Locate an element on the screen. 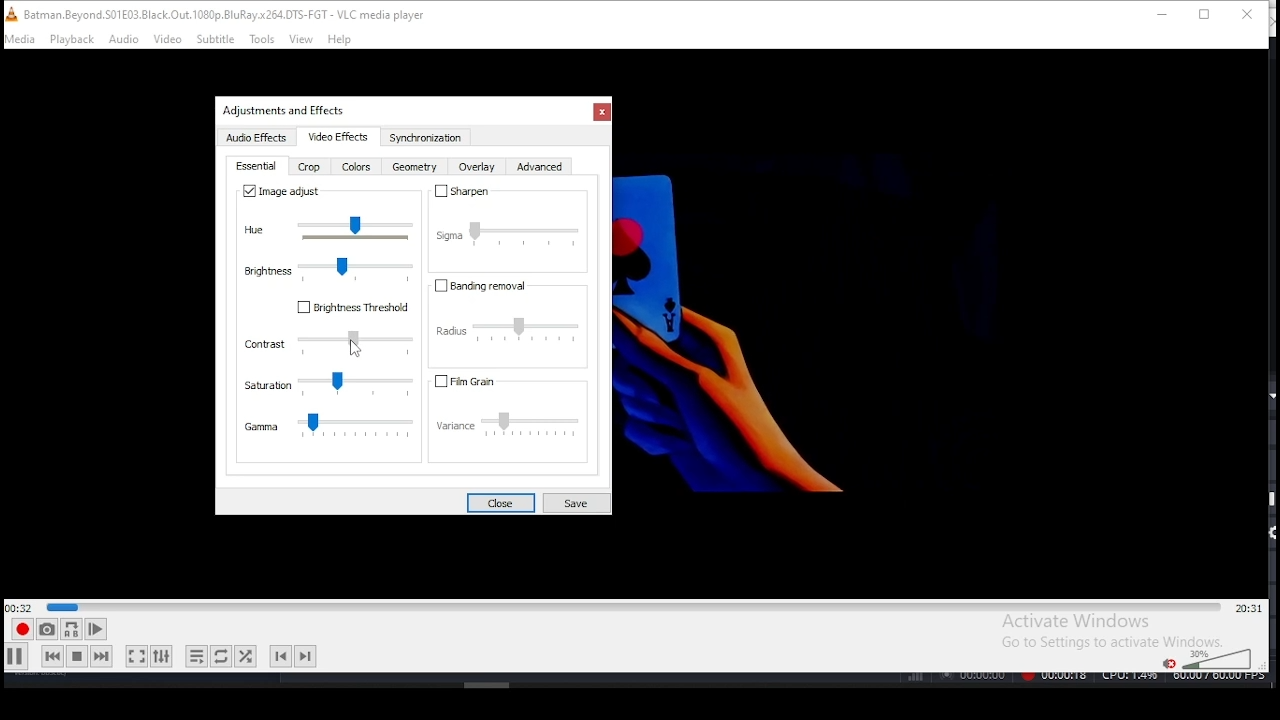  overlay is located at coordinates (476, 169).